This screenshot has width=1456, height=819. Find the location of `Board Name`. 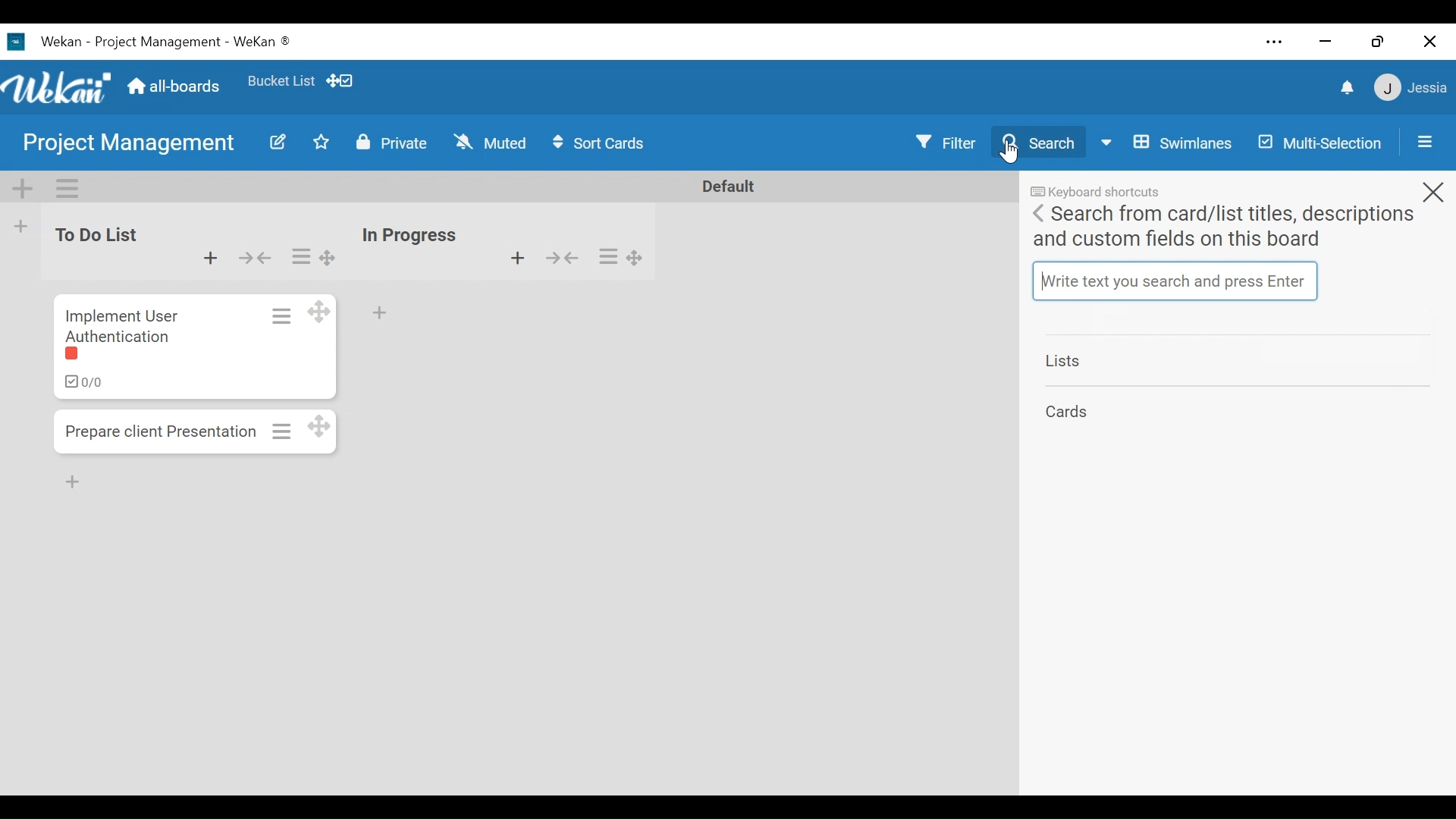

Board Name is located at coordinates (127, 142).